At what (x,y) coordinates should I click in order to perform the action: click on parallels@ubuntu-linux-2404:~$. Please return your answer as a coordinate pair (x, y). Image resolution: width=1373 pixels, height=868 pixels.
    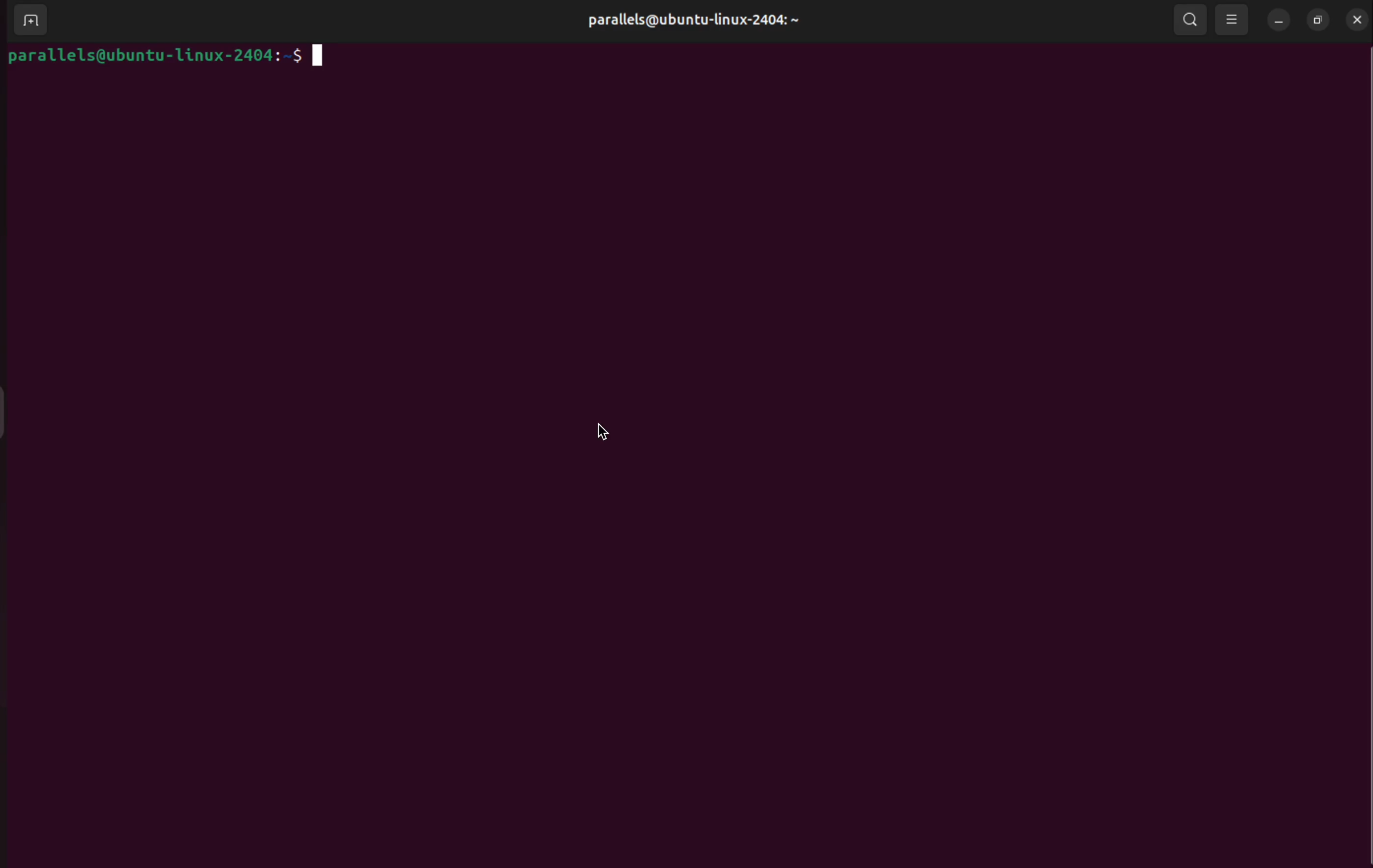
    Looking at the image, I should click on (168, 55).